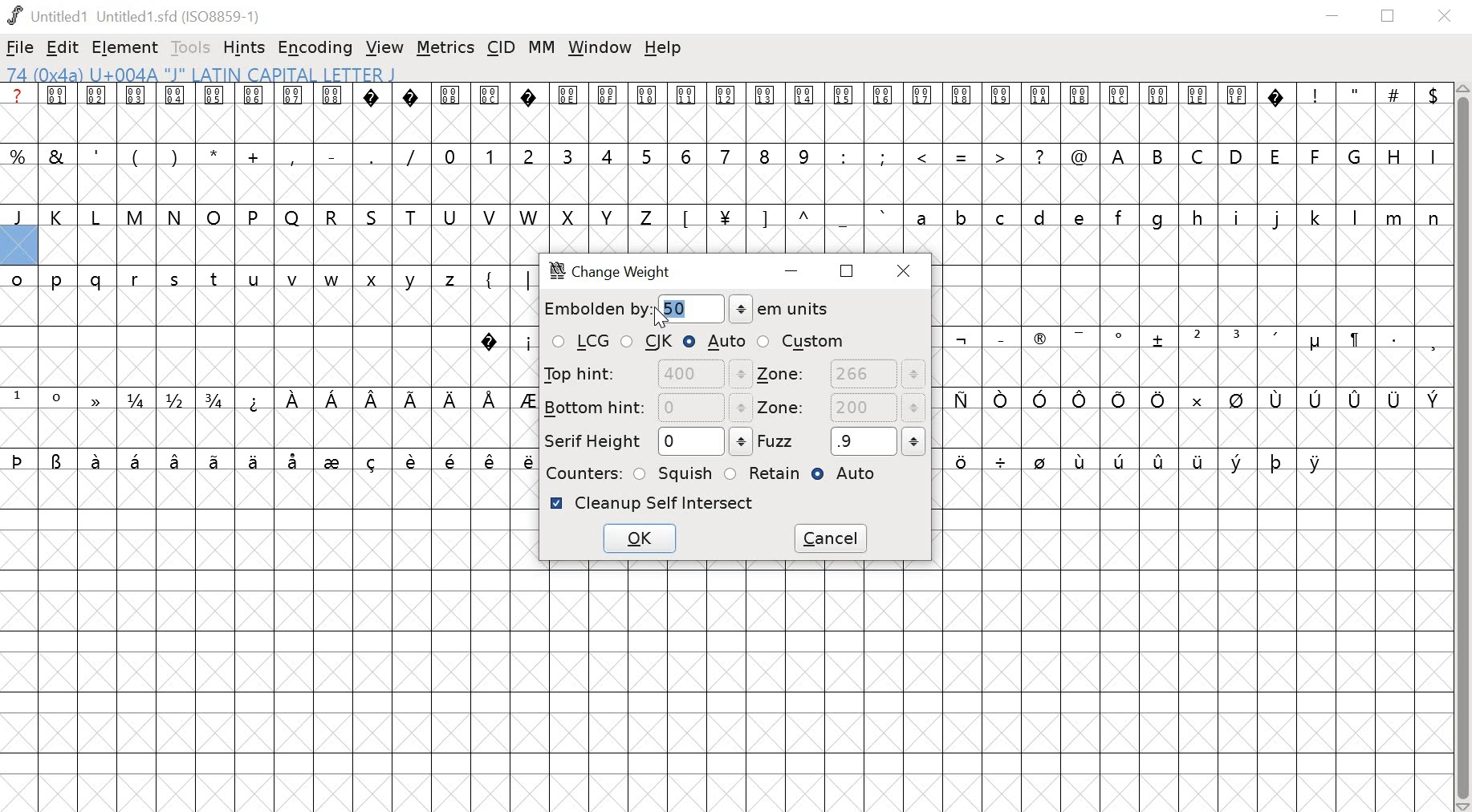 The height and width of the screenshot is (812, 1472). Describe the element at coordinates (1463, 448) in the screenshot. I see `scrollbar` at that location.